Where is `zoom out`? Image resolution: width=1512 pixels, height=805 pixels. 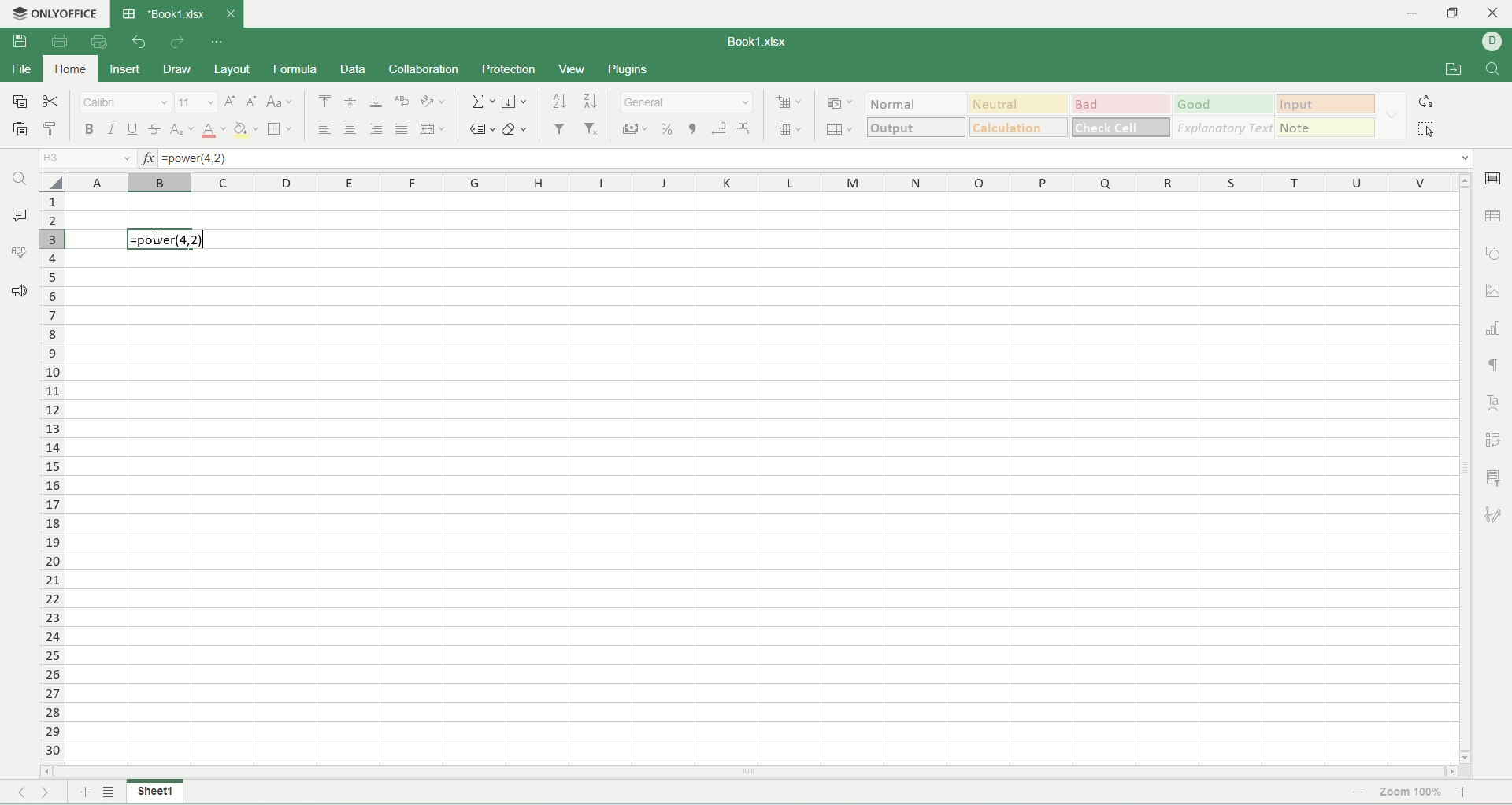 zoom out is located at coordinates (1358, 792).